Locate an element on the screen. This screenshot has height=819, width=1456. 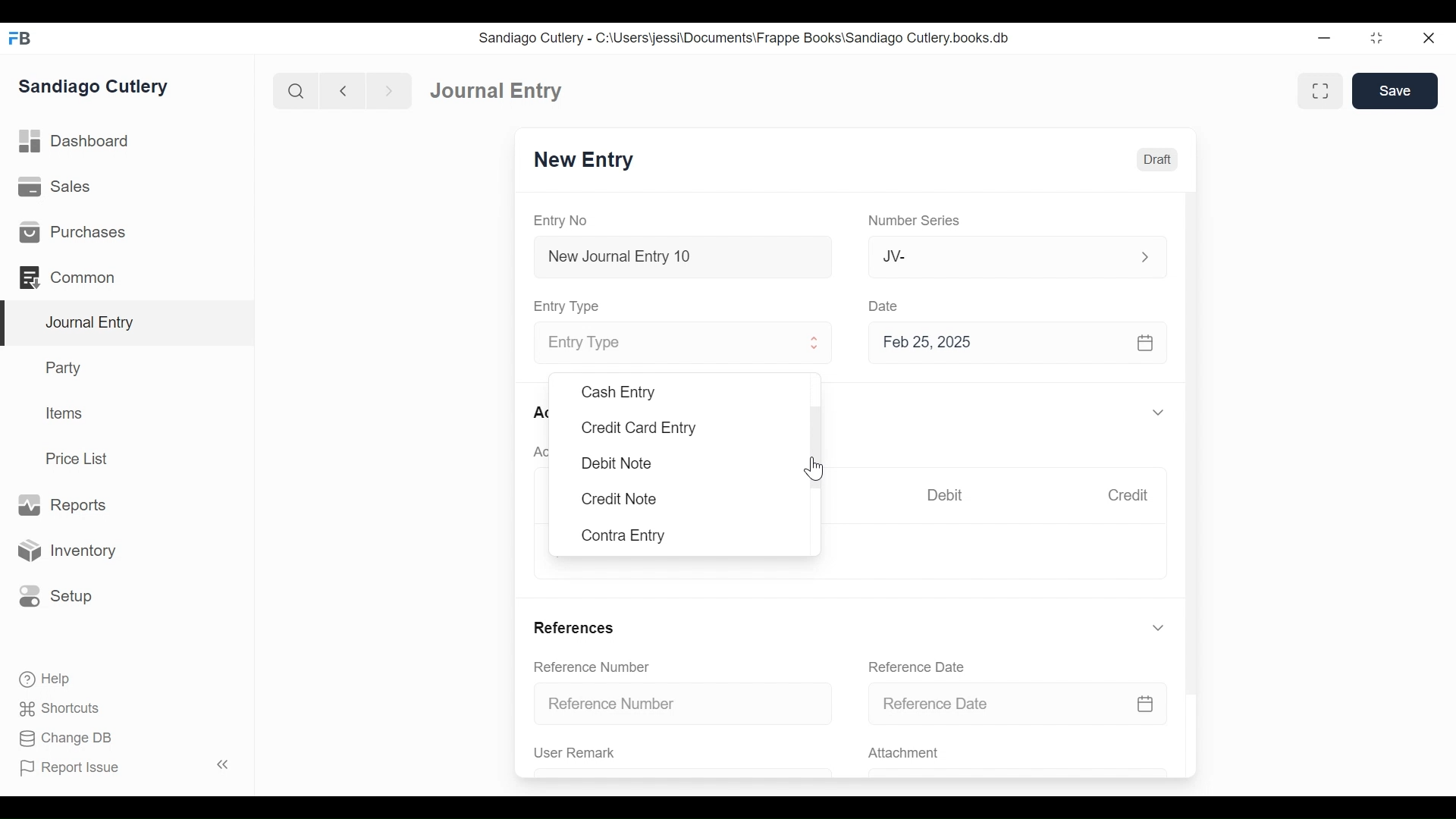
Navigate Forward is located at coordinates (390, 89).